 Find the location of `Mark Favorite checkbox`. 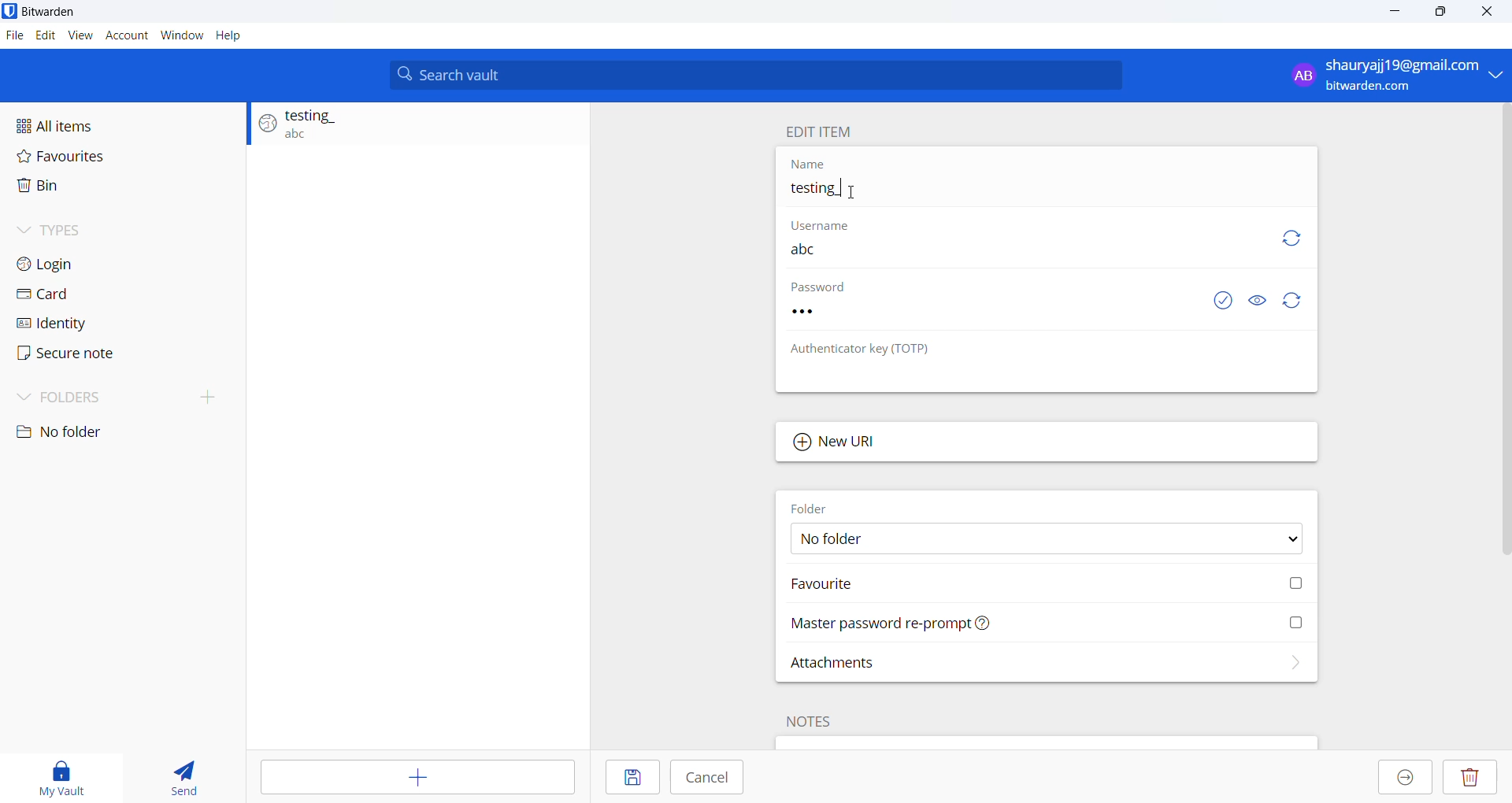

Mark Favorite checkbox is located at coordinates (1039, 586).